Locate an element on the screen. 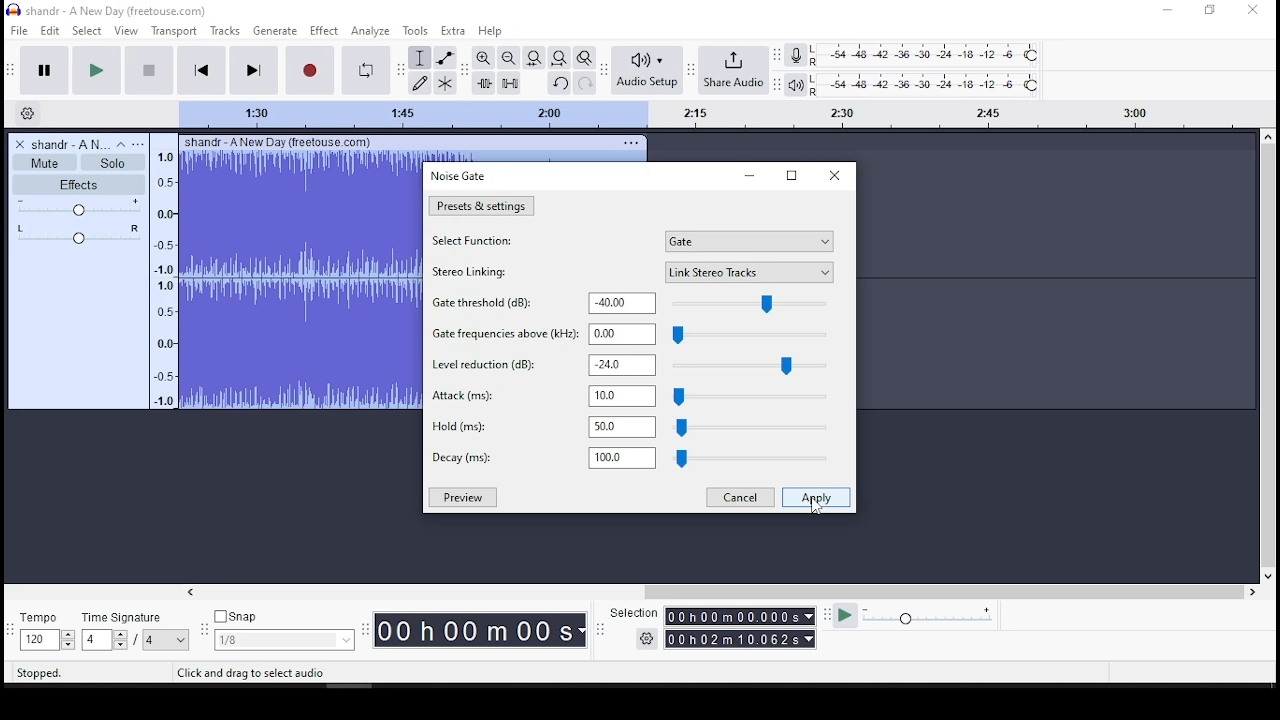  effects is located at coordinates (79, 185).